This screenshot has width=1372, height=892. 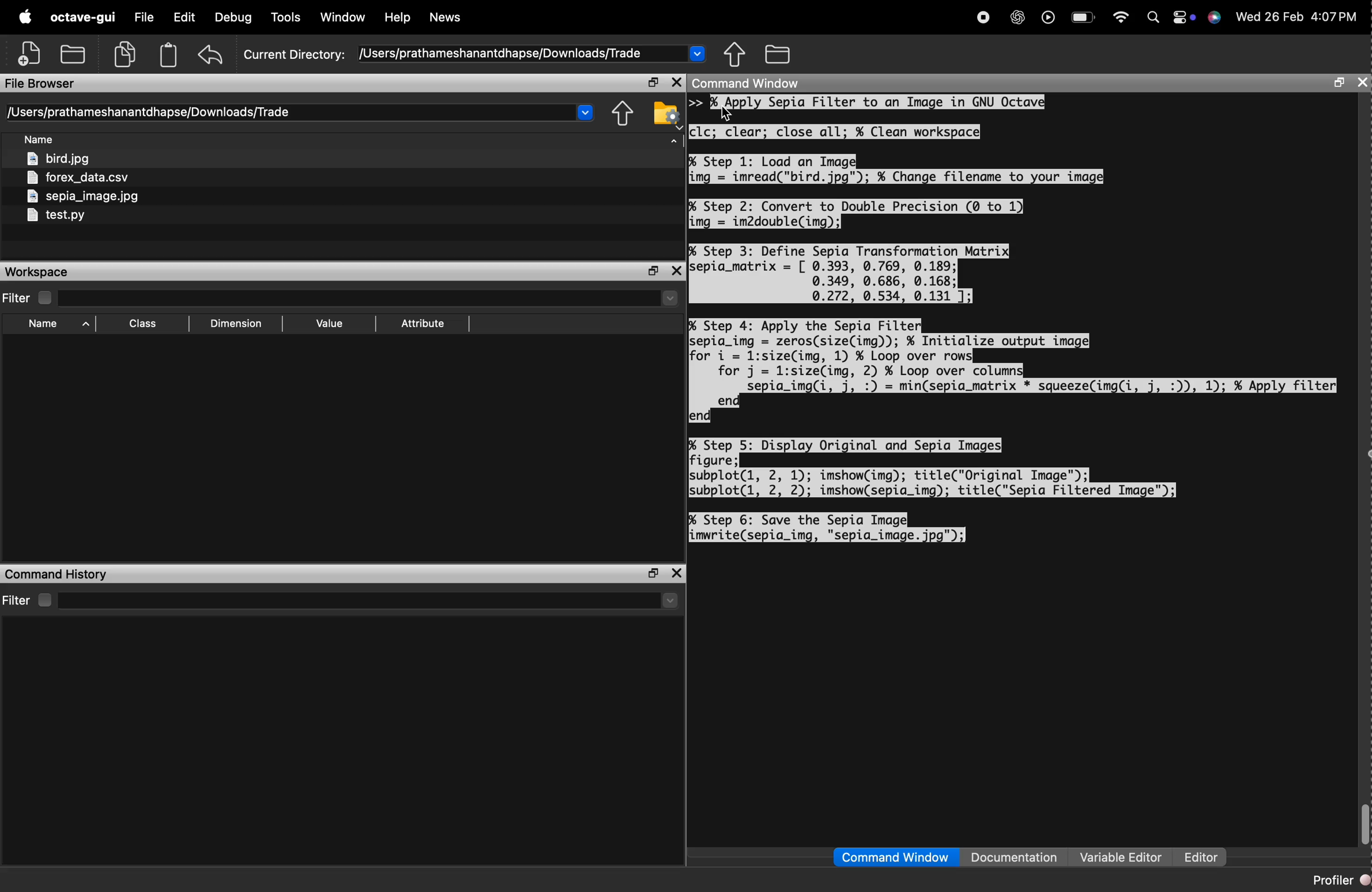 What do you see at coordinates (745, 82) in the screenshot?
I see `Command Window` at bounding box center [745, 82].